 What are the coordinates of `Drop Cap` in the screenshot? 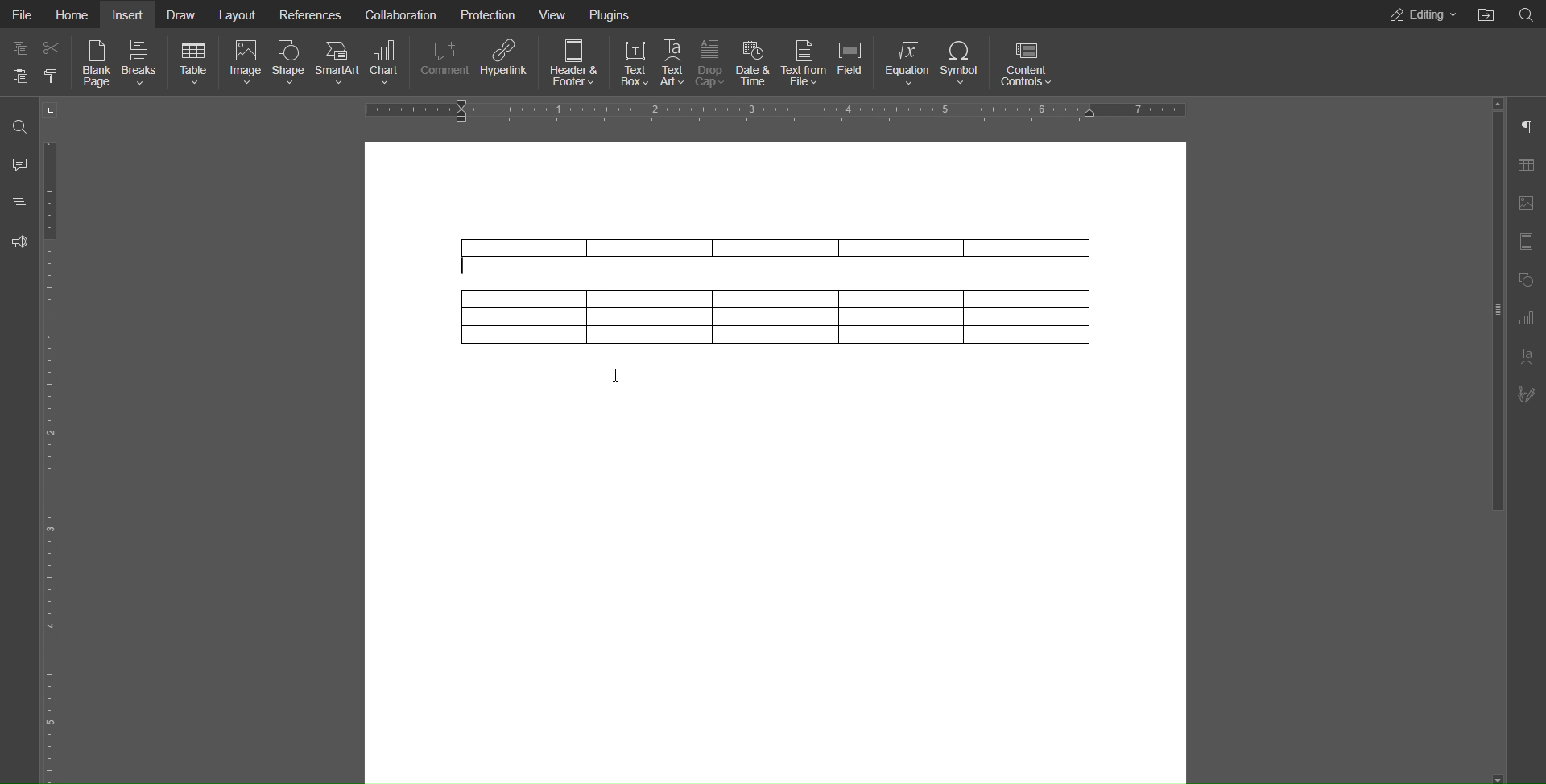 It's located at (711, 64).